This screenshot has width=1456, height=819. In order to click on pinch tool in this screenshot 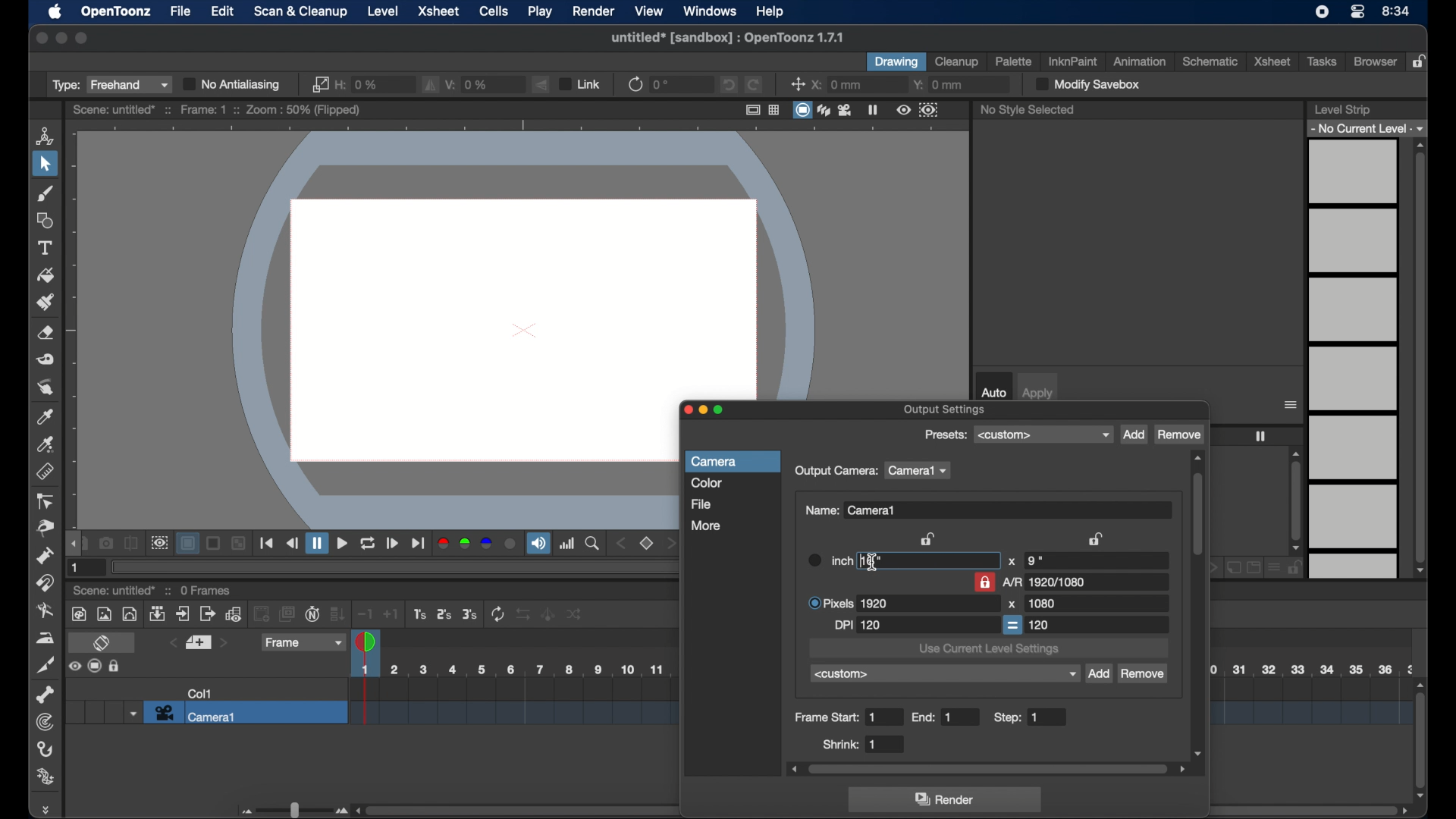, I will do `click(42, 529)`.